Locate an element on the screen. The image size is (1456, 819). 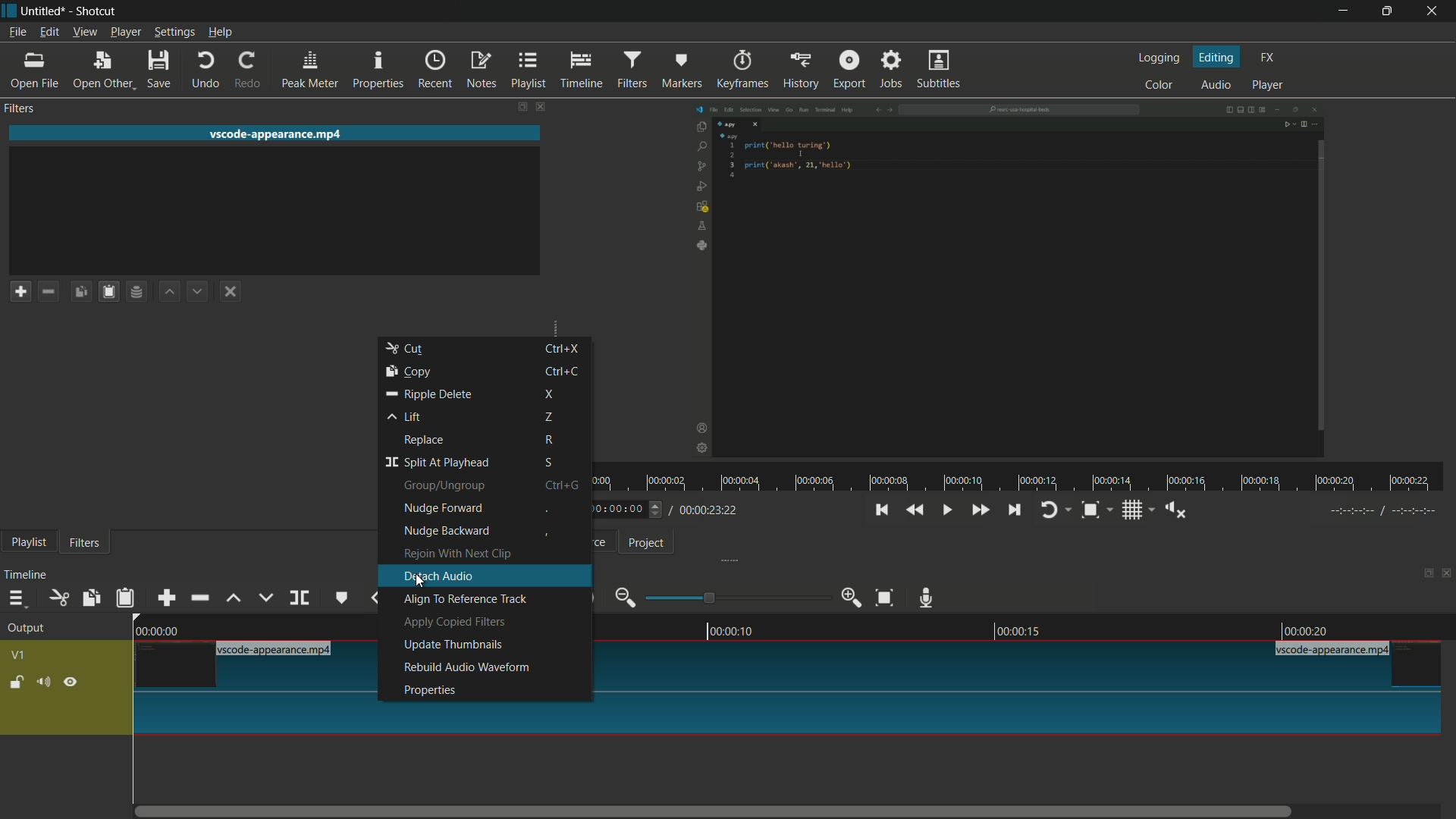
skip to the previous is located at coordinates (882, 510).